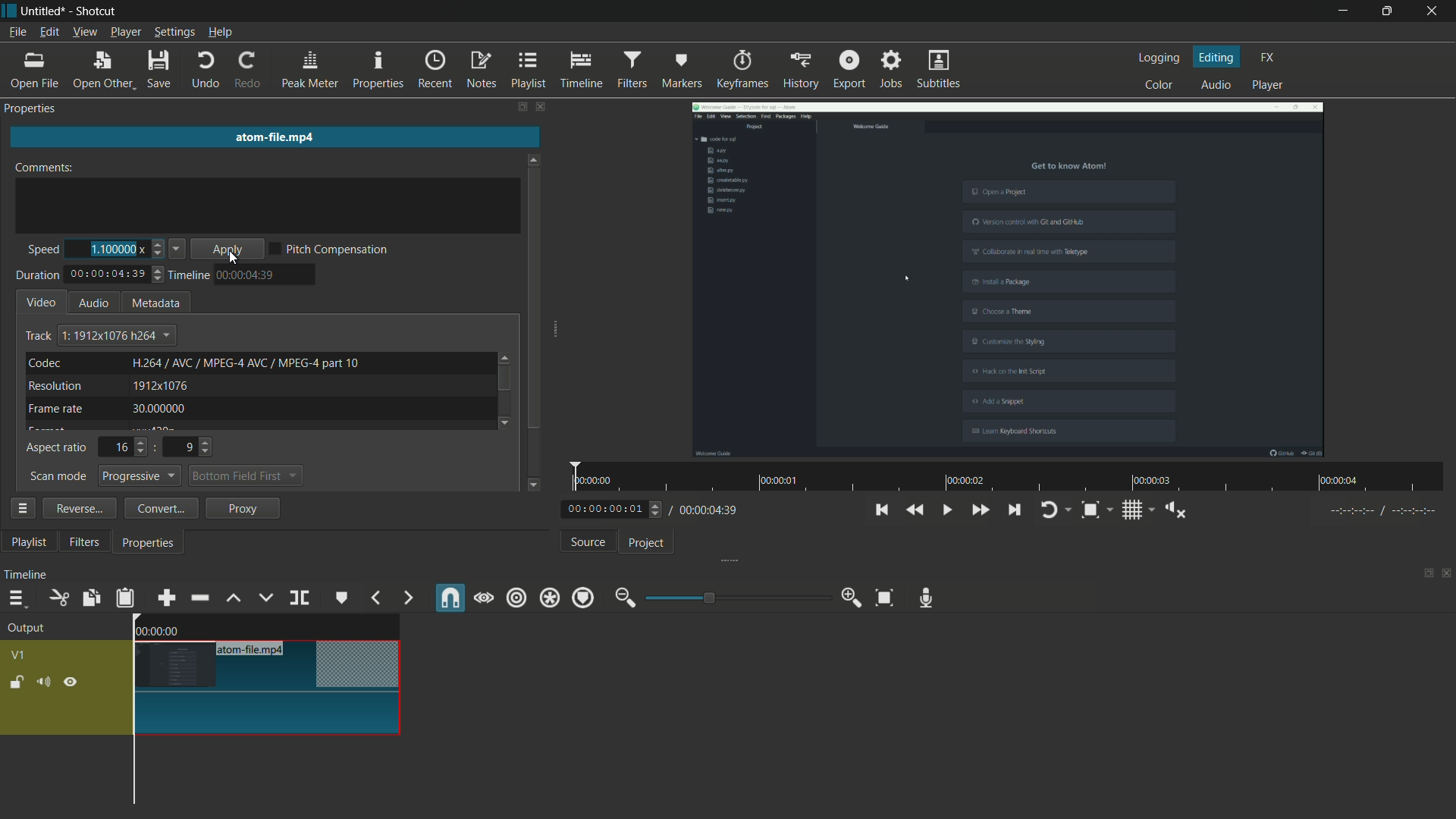 The image size is (1456, 819). I want to click on create or edit marker, so click(342, 598).